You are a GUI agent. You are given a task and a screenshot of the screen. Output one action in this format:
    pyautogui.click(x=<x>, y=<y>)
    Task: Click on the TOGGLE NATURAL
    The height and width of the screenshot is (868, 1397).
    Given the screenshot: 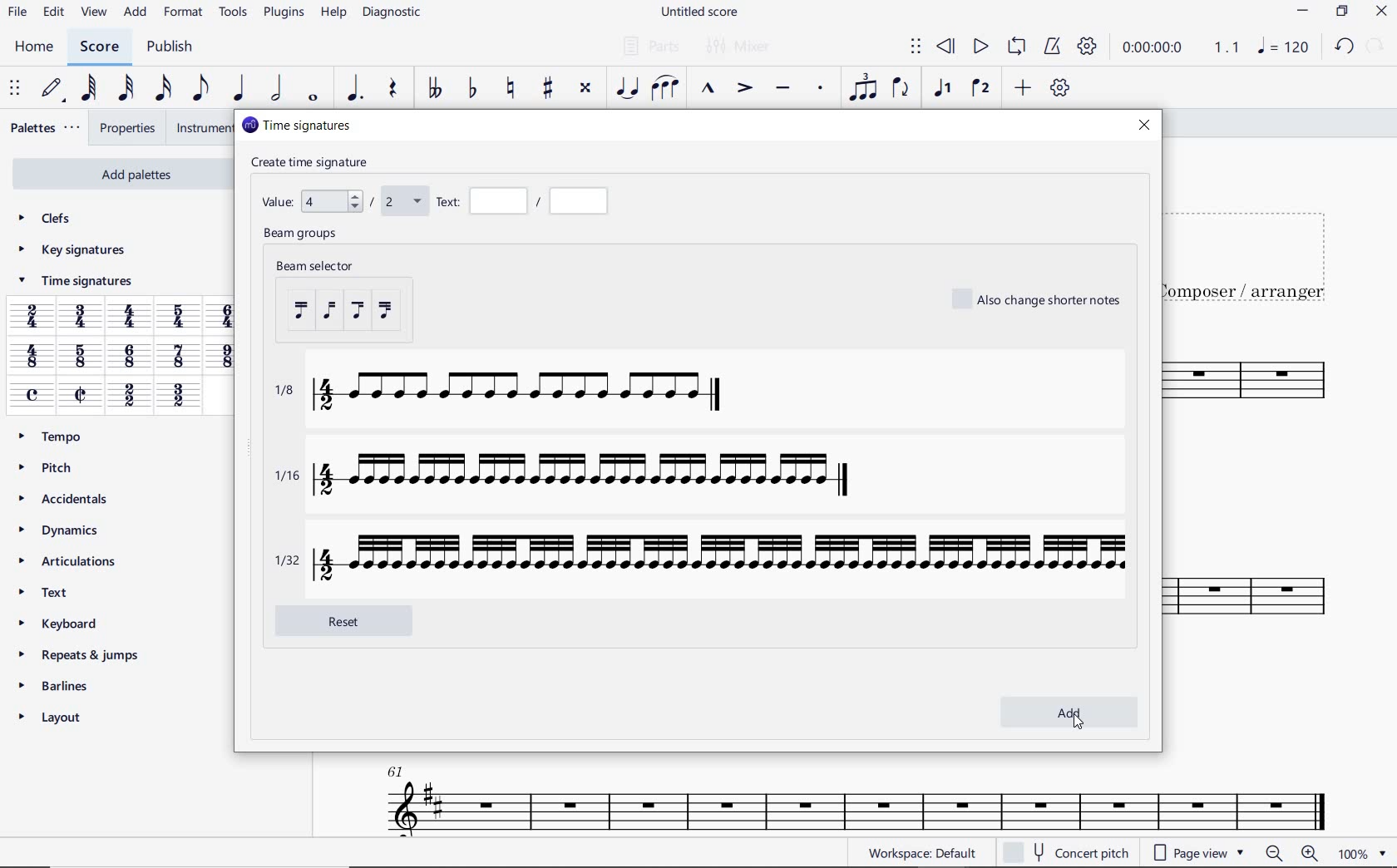 What is the action you would take?
    pyautogui.click(x=513, y=89)
    